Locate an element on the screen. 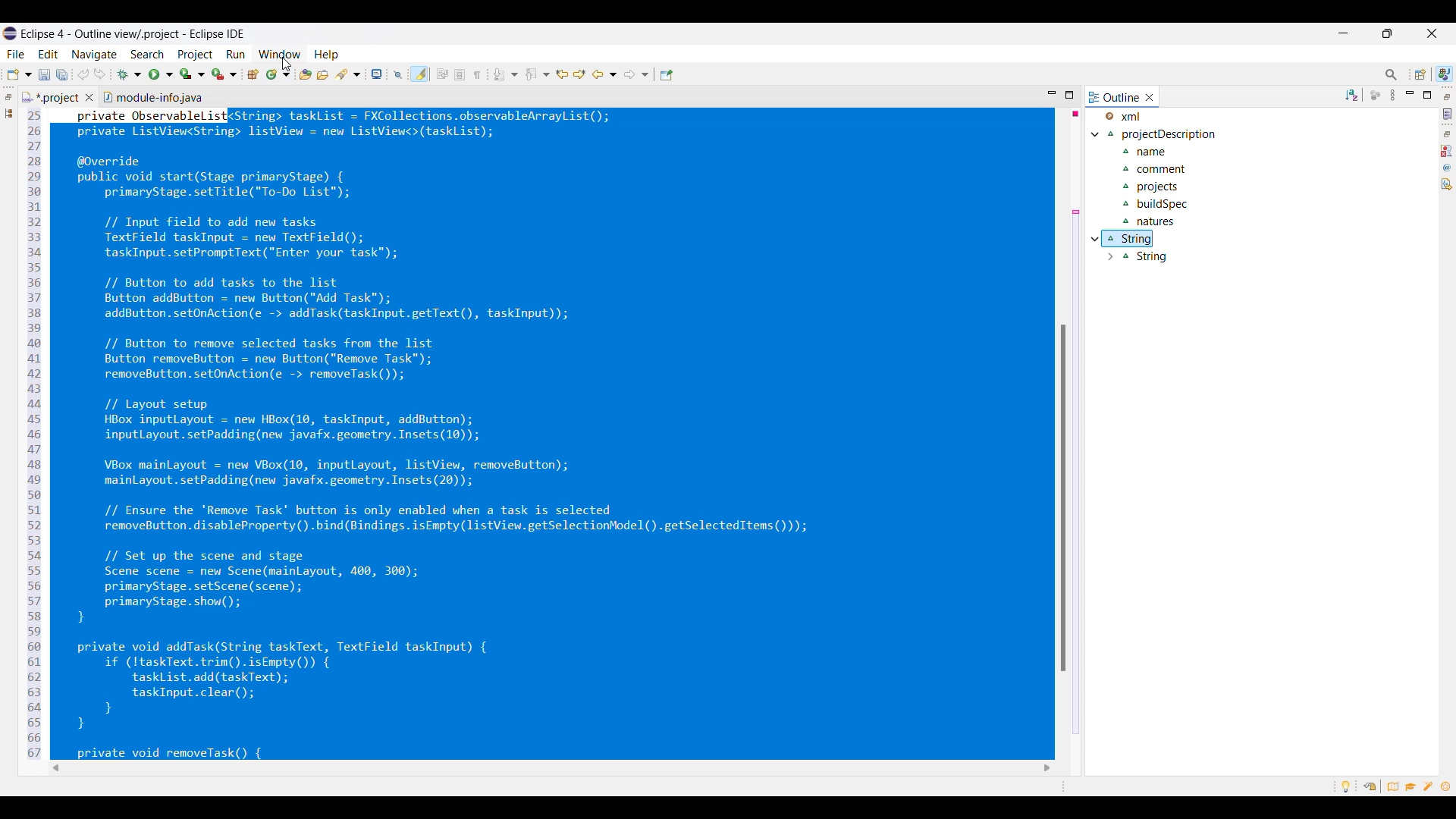 This screenshot has width=1456, height=819. Maximize is located at coordinates (1427, 95).